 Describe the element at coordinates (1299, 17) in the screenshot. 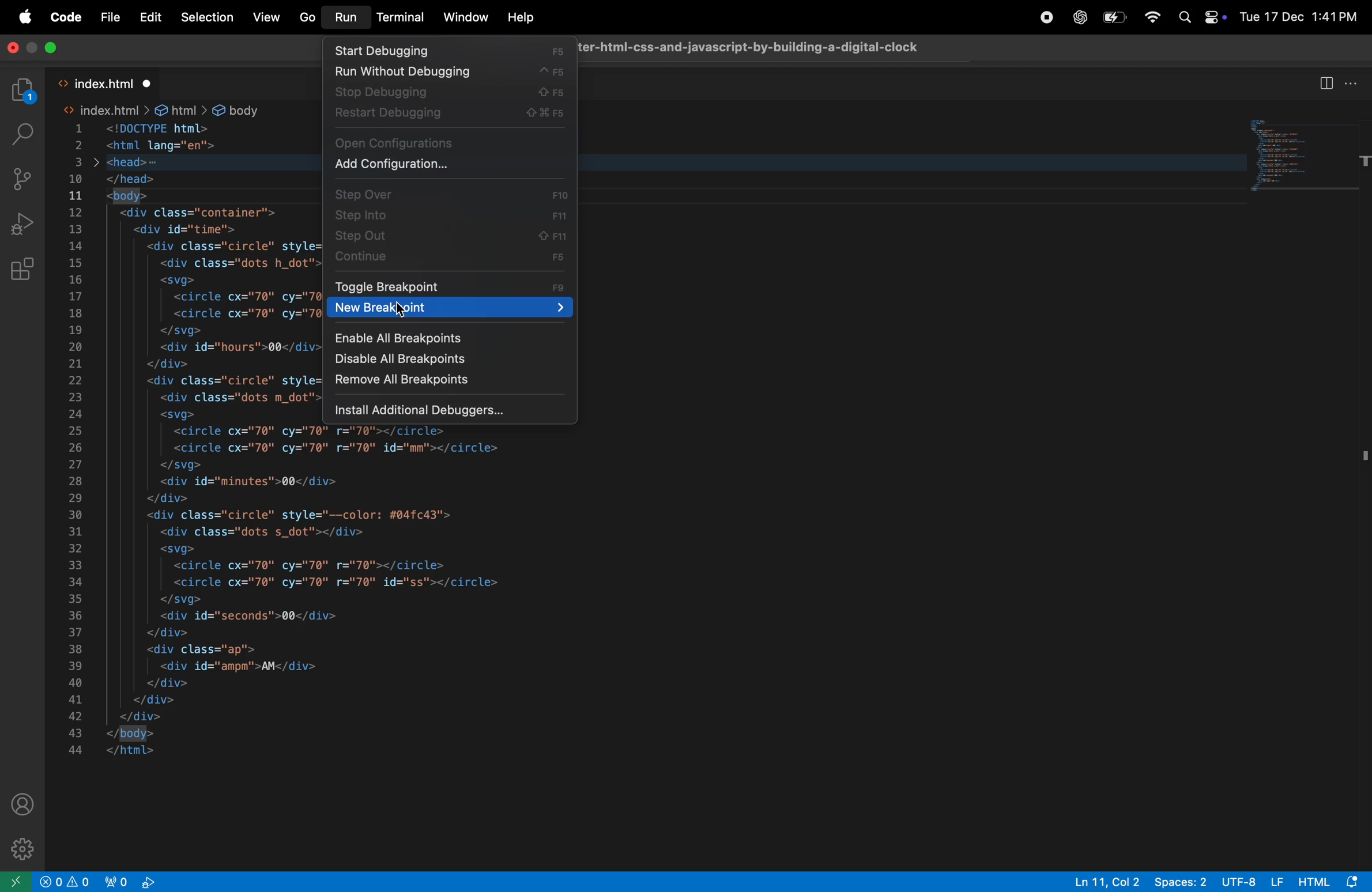

I see `Tue 17 Dec 1:41 PM` at that location.